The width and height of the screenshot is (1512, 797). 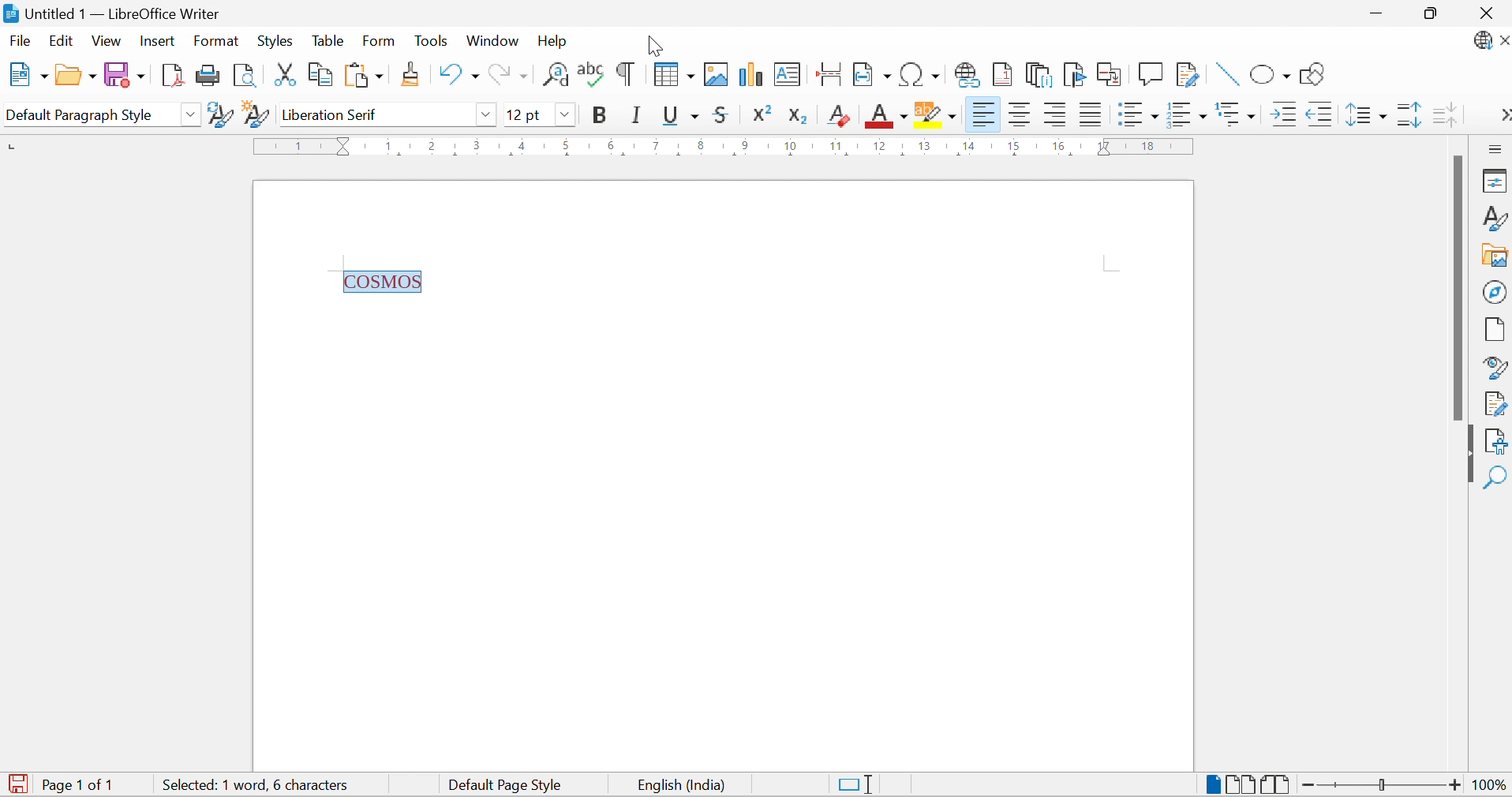 What do you see at coordinates (327, 41) in the screenshot?
I see `Table` at bounding box center [327, 41].